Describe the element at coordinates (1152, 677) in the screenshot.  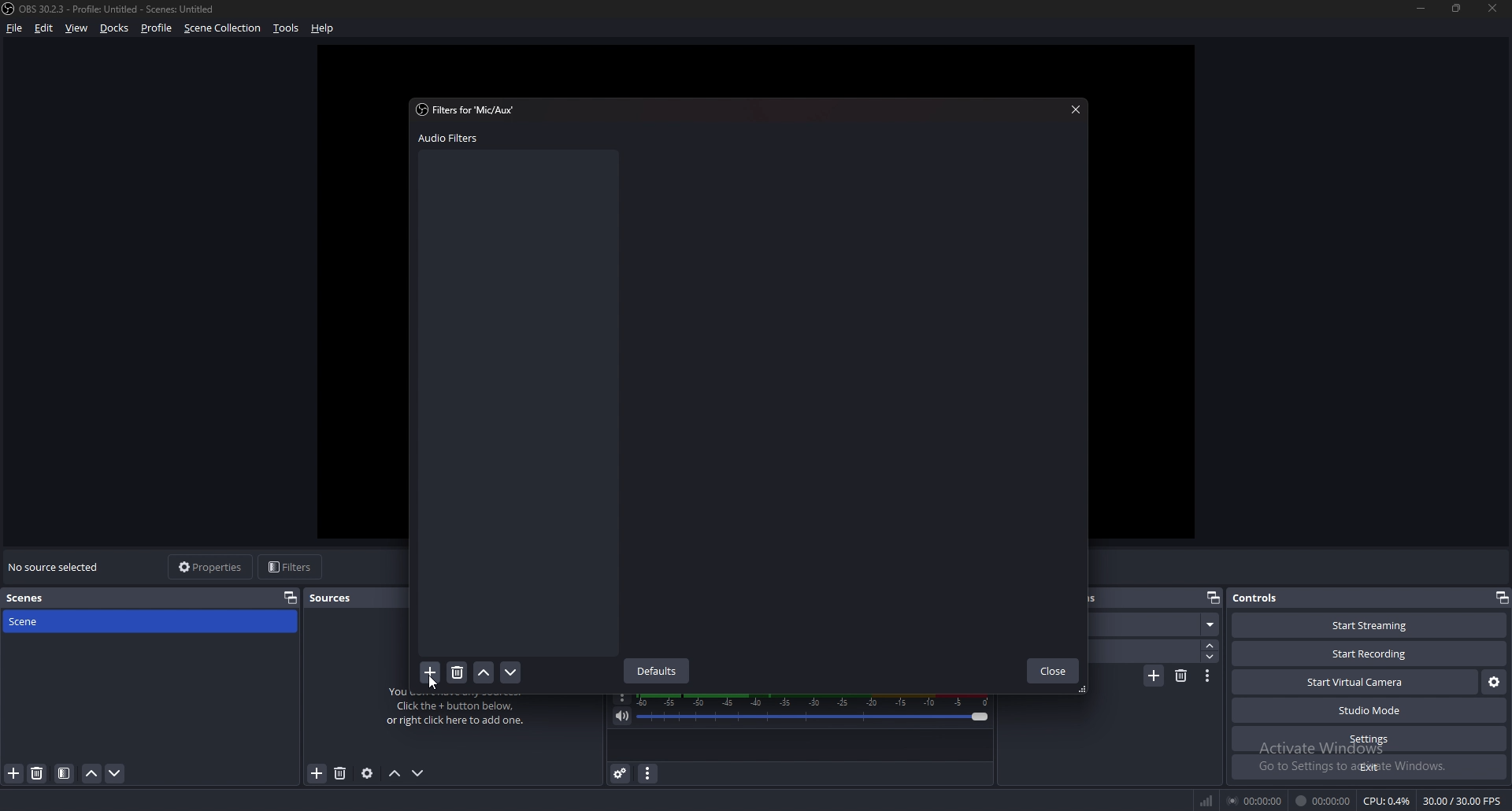
I see `add transition` at that location.